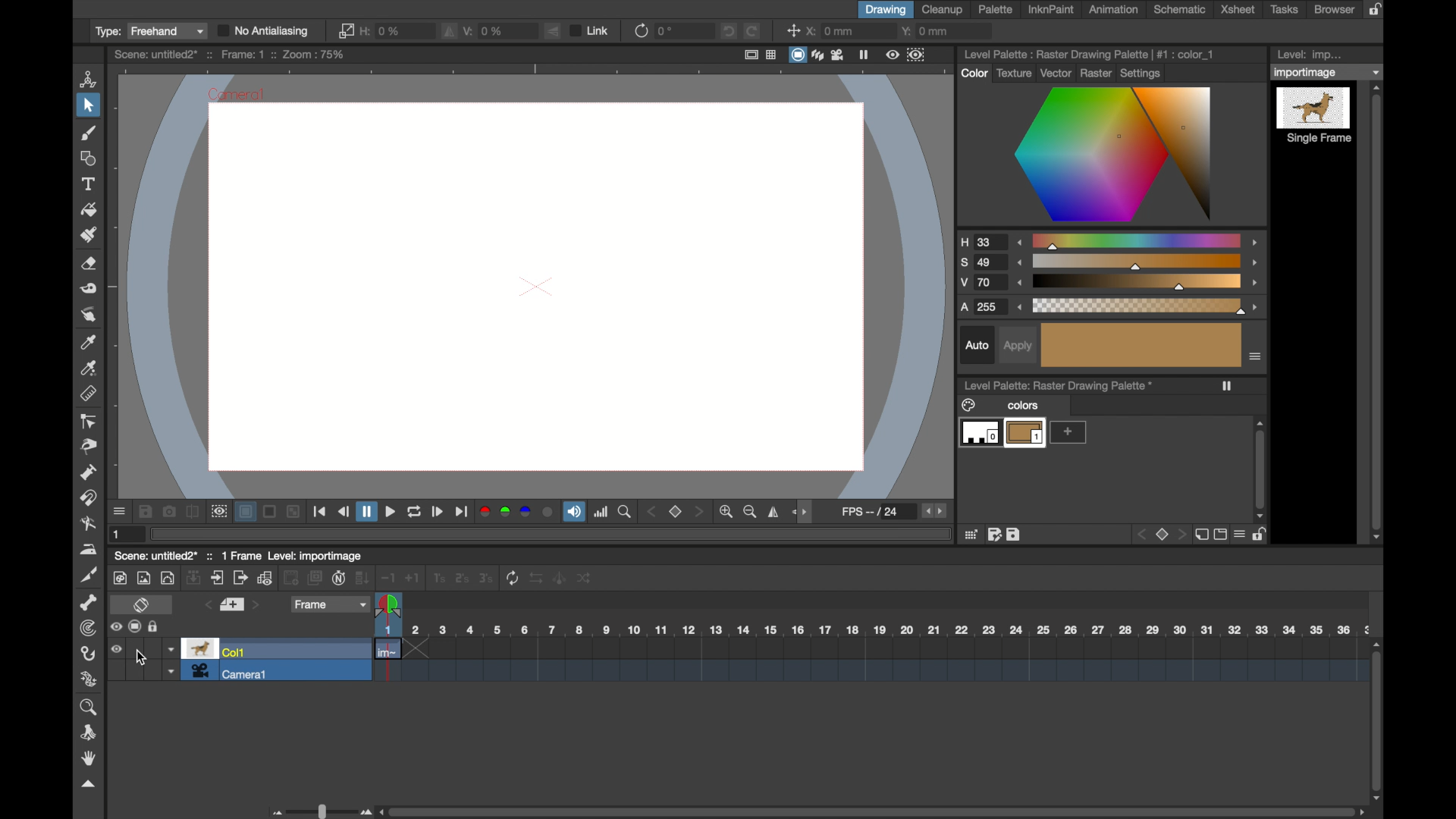 The image size is (1456, 819). Describe the element at coordinates (89, 679) in the screenshot. I see `plastic tool` at that location.